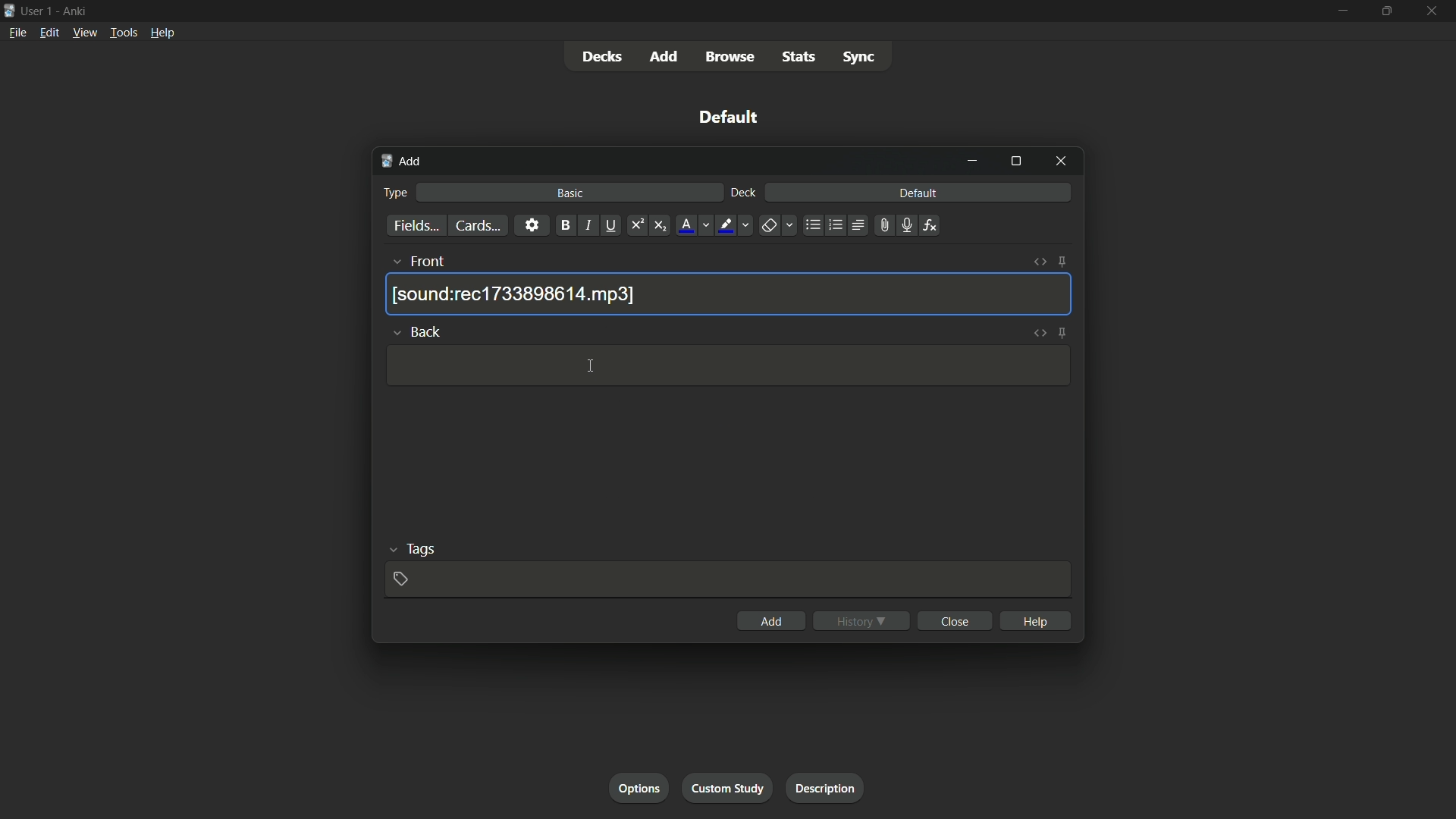  I want to click on file menu, so click(18, 32).